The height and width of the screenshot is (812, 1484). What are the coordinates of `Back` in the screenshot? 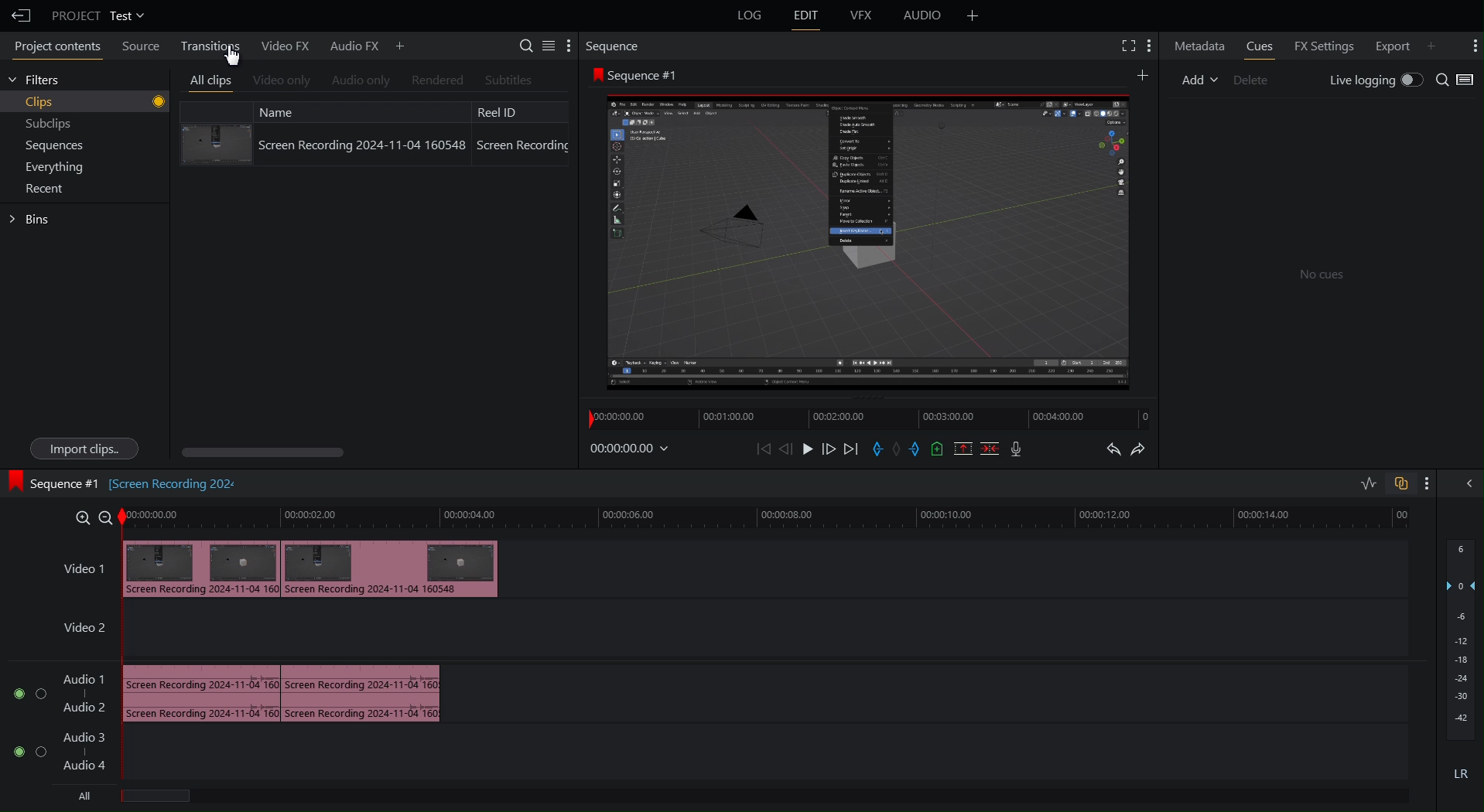 It's located at (19, 15).